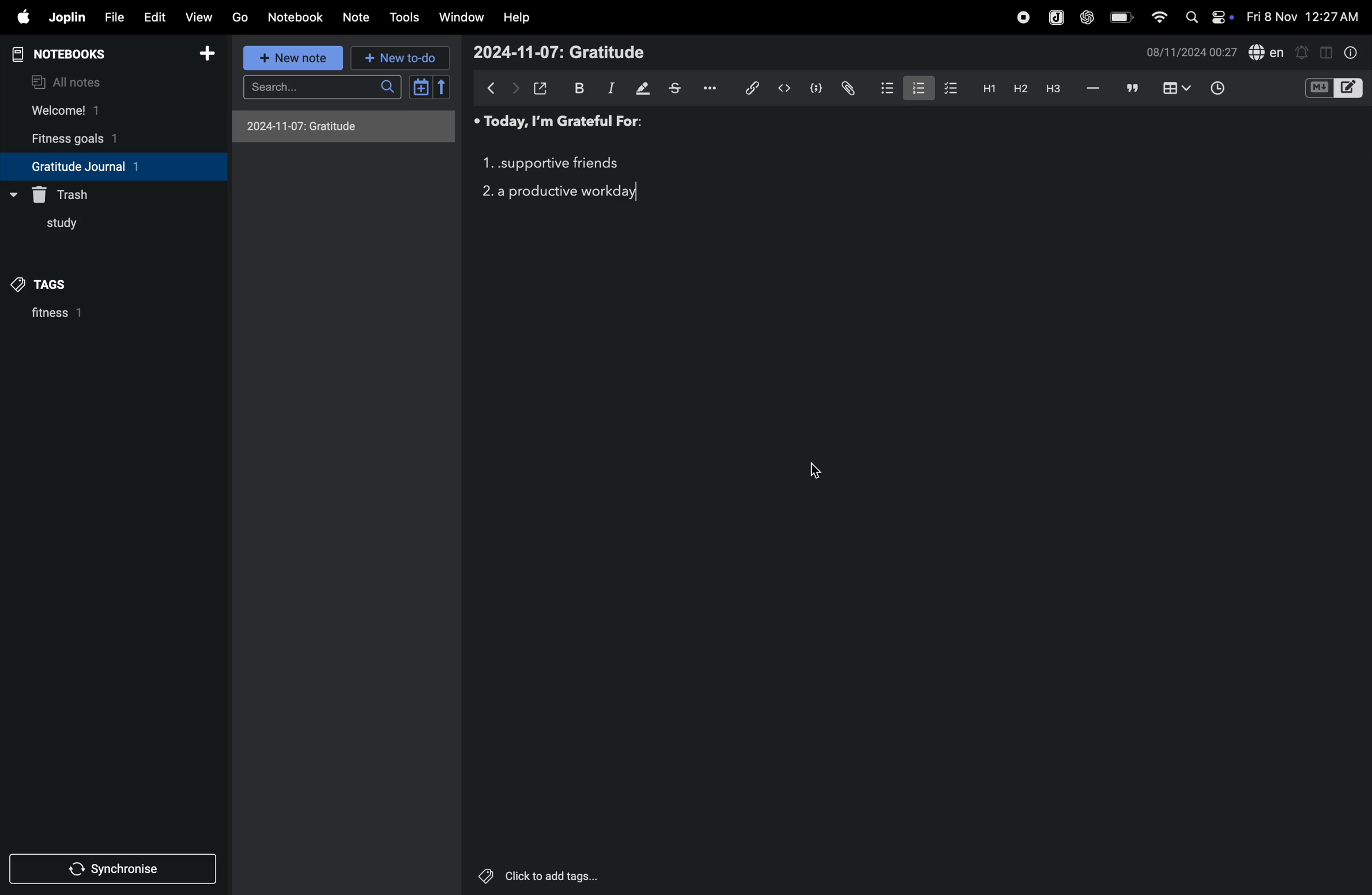 The height and width of the screenshot is (895, 1372). I want to click on forward, so click(515, 89).